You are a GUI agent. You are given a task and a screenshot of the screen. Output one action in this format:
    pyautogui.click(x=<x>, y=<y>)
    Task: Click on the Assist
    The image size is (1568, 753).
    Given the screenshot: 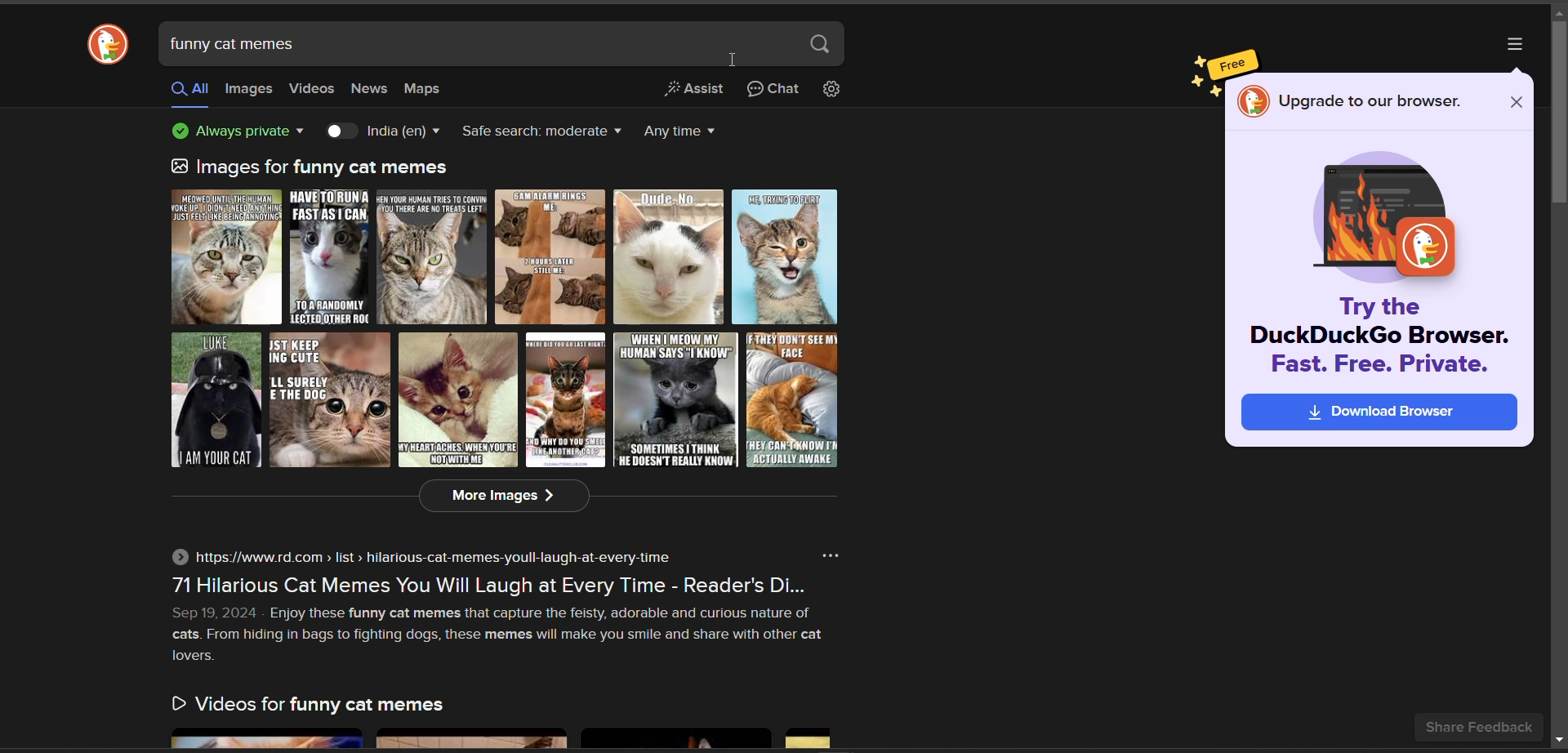 What is the action you would take?
    pyautogui.click(x=694, y=91)
    